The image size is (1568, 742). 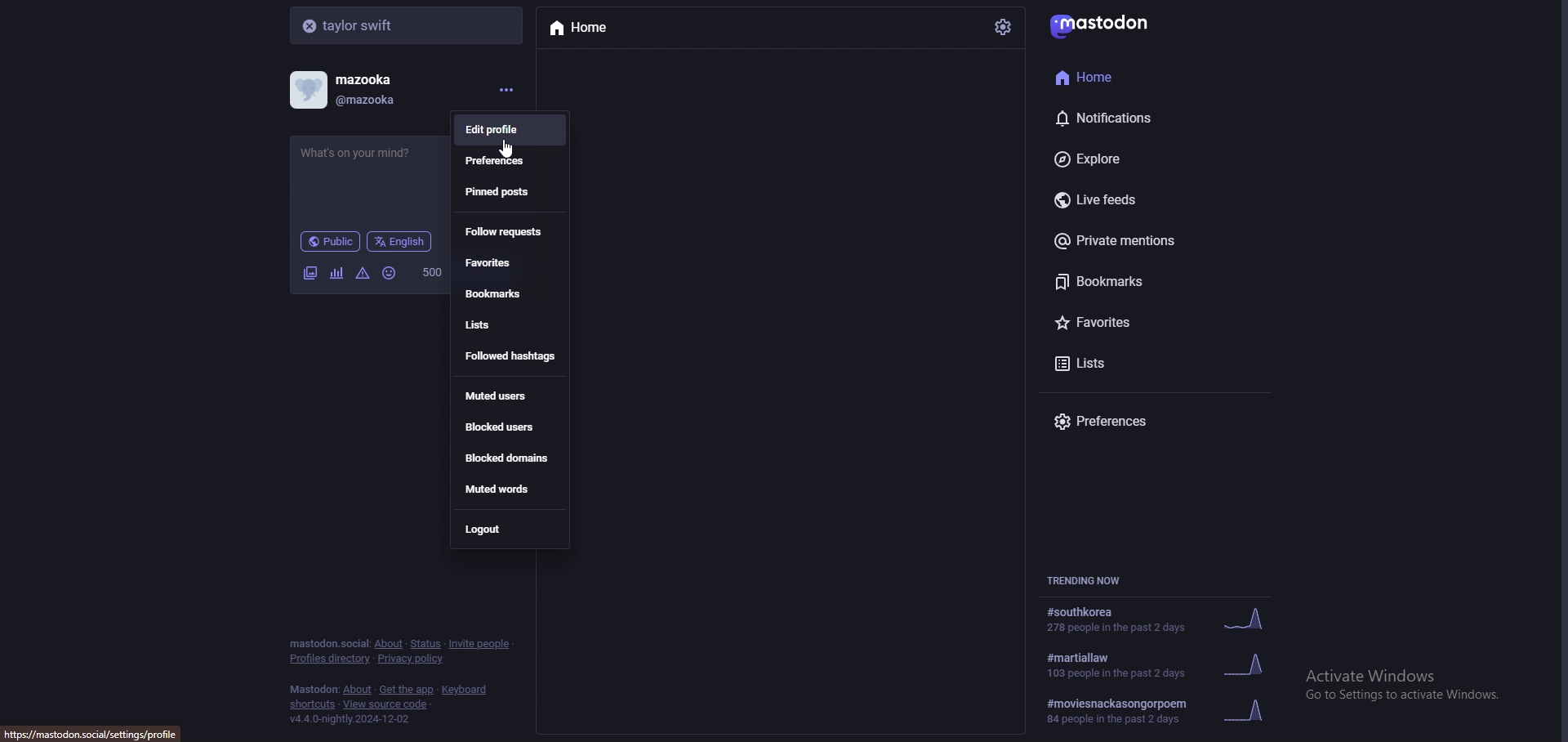 What do you see at coordinates (586, 26) in the screenshot?
I see `home` at bounding box center [586, 26].